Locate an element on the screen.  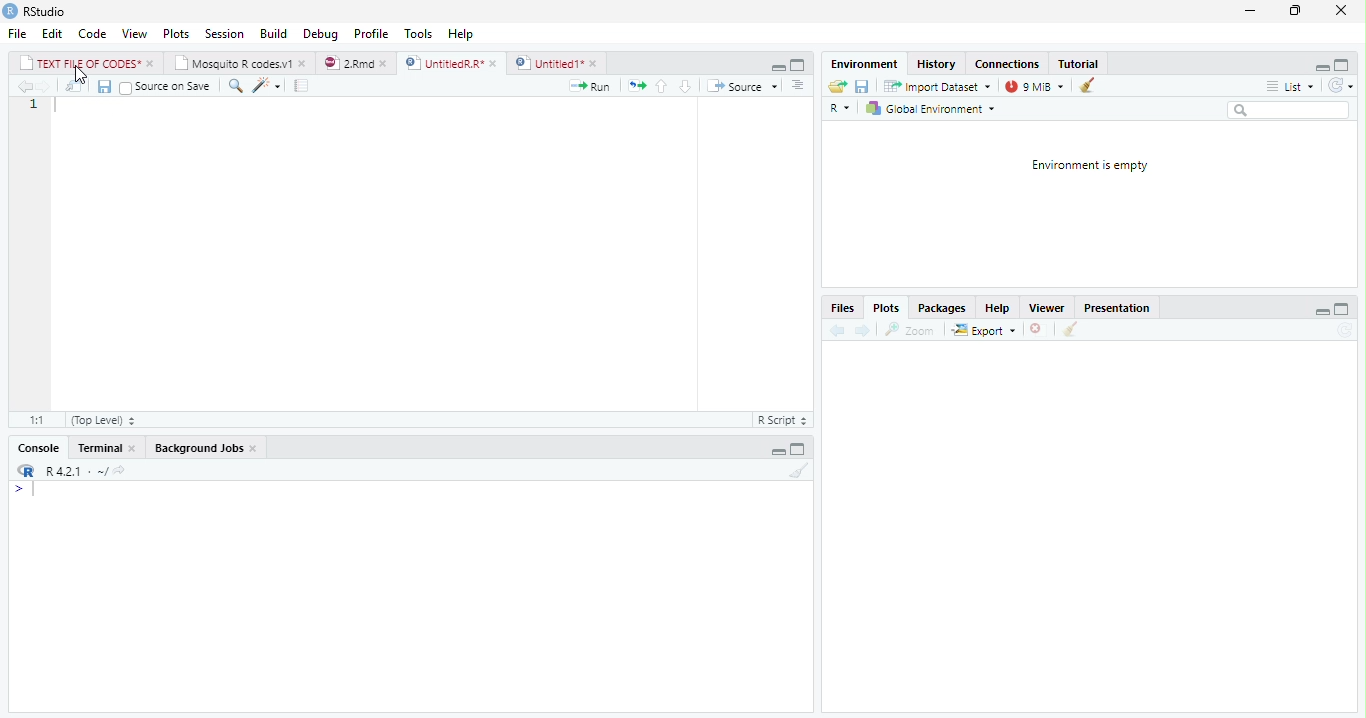
zoom is located at coordinates (914, 330).